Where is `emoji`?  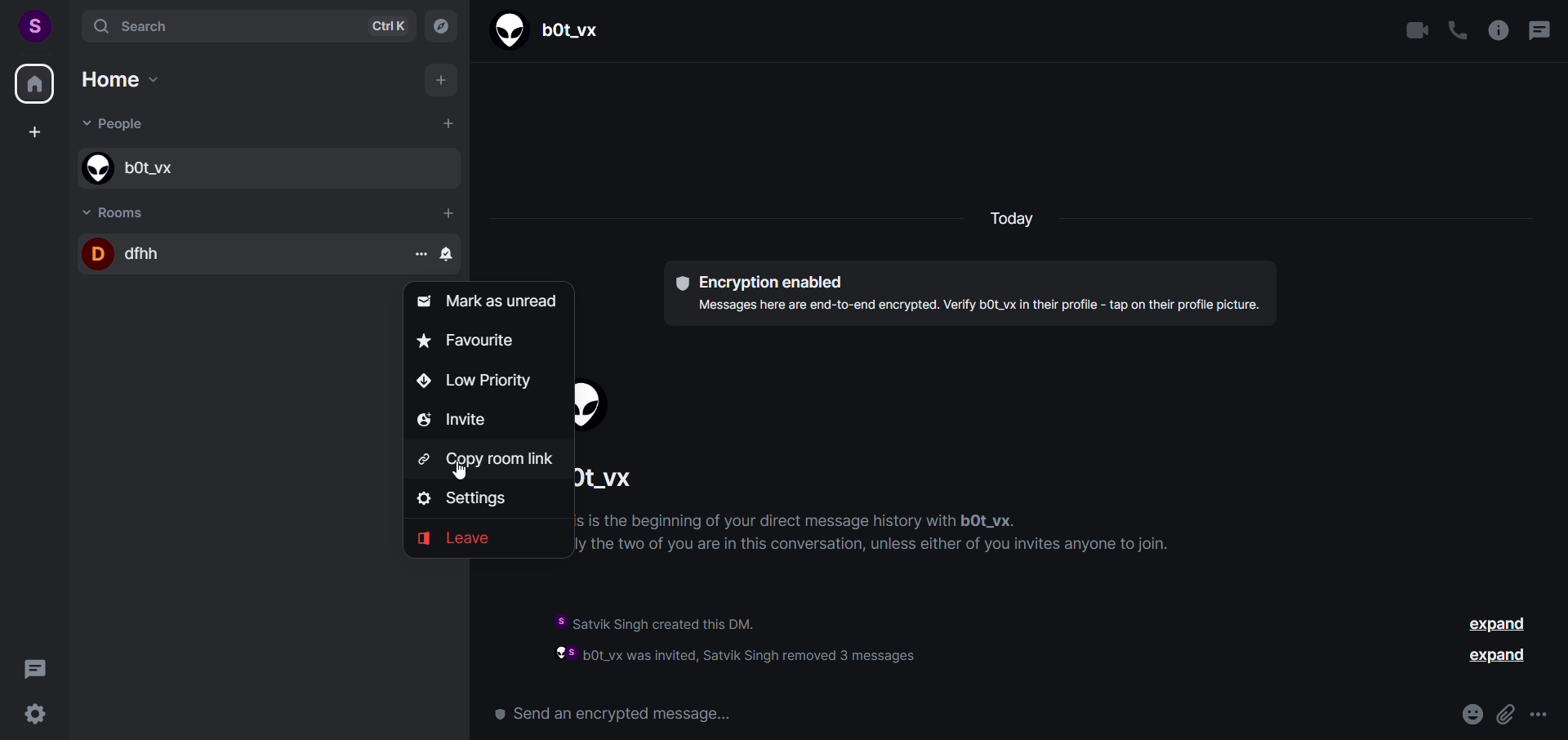 emoji is located at coordinates (1467, 714).